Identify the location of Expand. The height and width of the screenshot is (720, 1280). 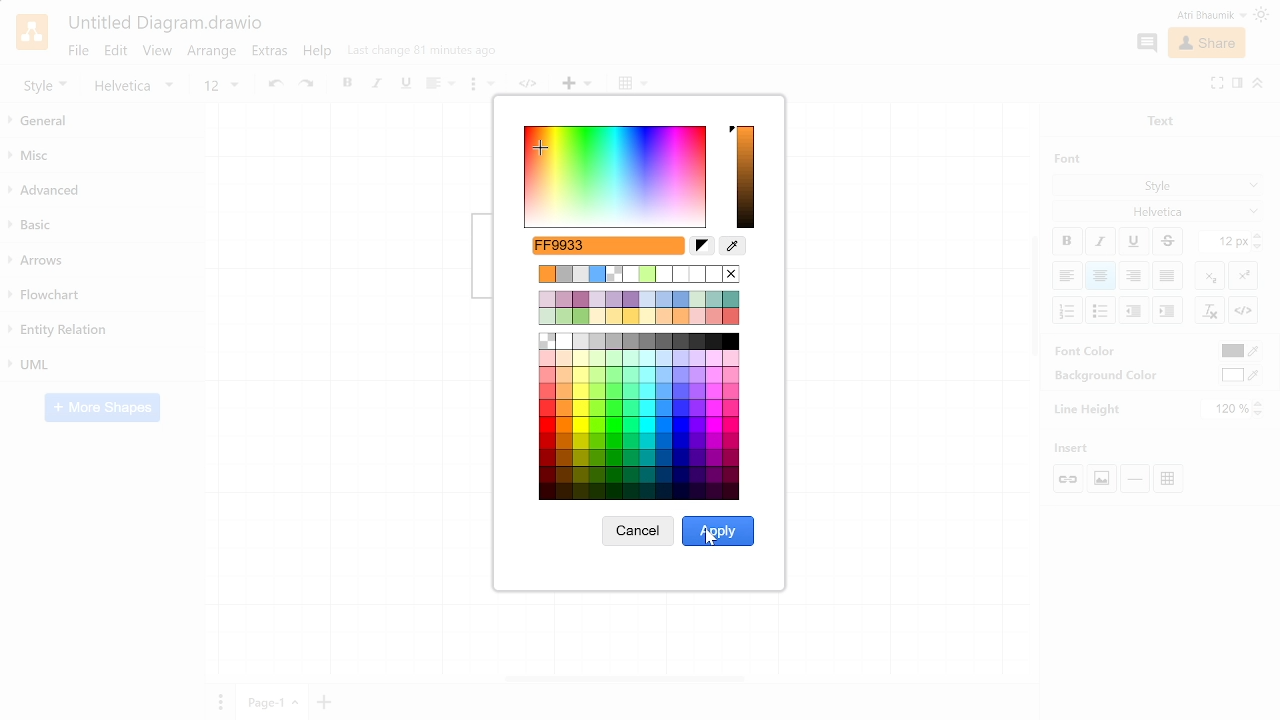
(1217, 82).